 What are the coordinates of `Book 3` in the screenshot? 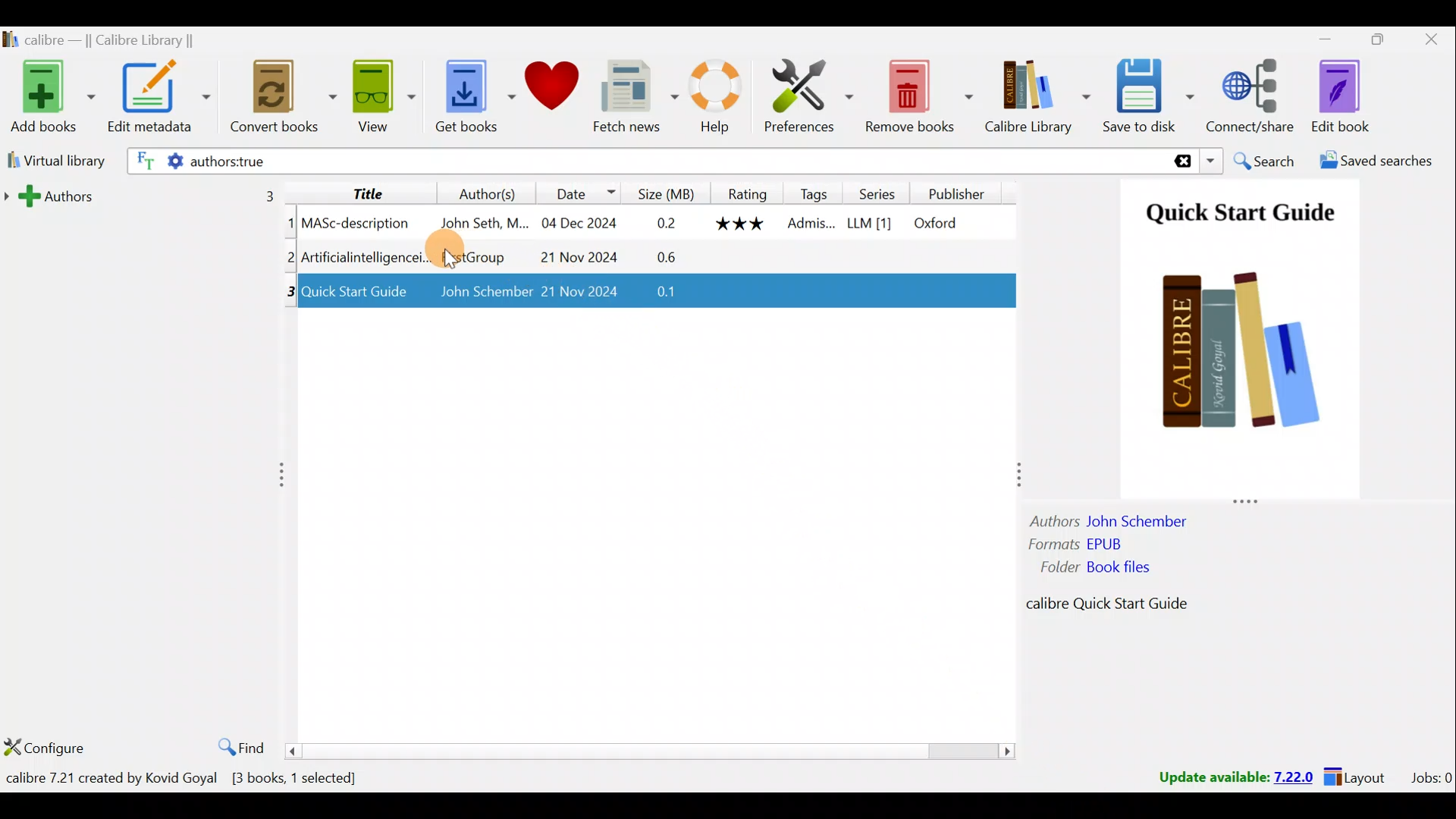 It's located at (653, 293).